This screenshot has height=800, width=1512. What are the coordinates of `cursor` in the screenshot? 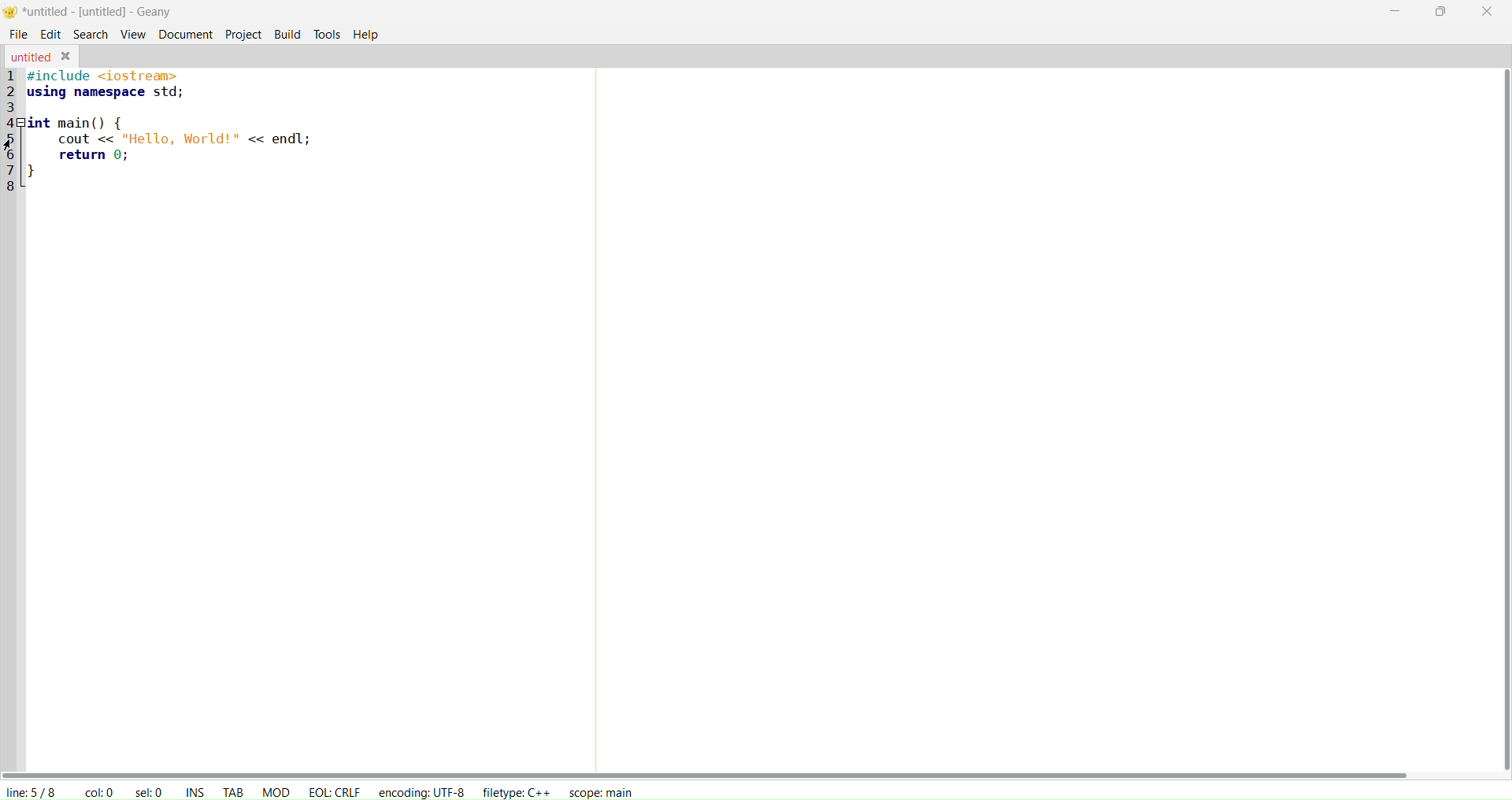 It's located at (9, 144).